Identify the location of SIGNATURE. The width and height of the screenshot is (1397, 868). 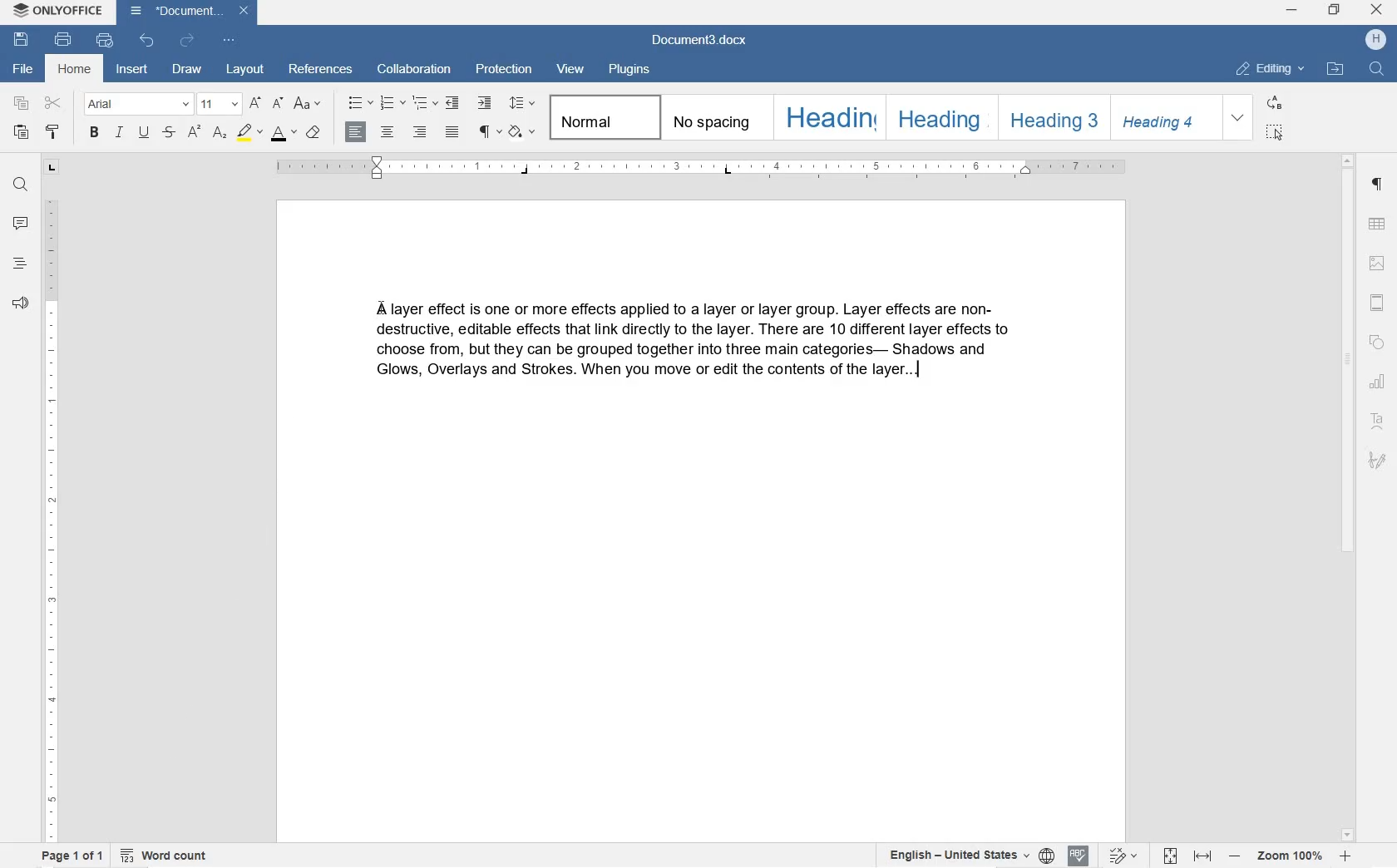
(1379, 463).